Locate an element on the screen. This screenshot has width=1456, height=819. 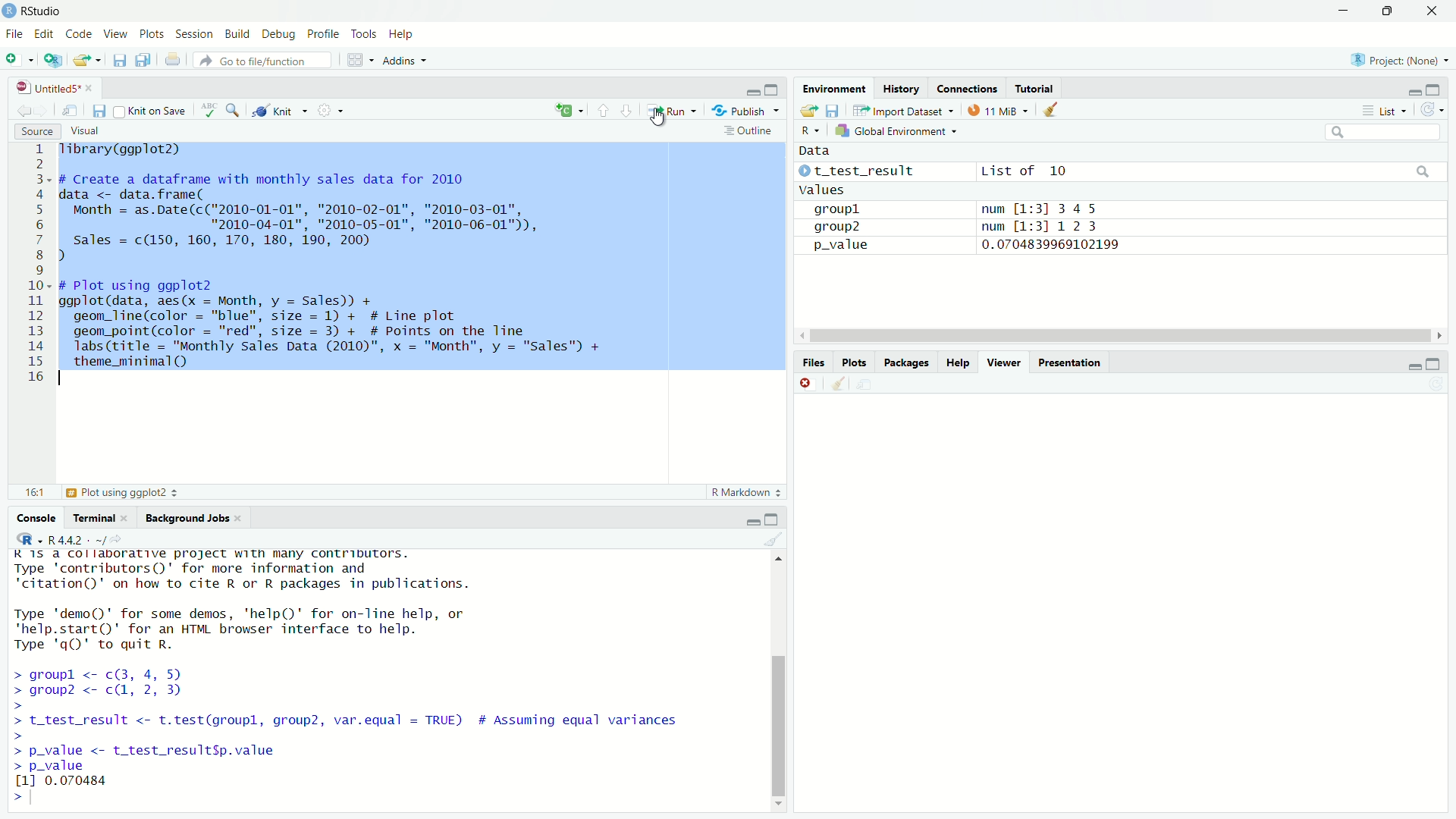
refresh the workspace is located at coordinates (1432, 111).